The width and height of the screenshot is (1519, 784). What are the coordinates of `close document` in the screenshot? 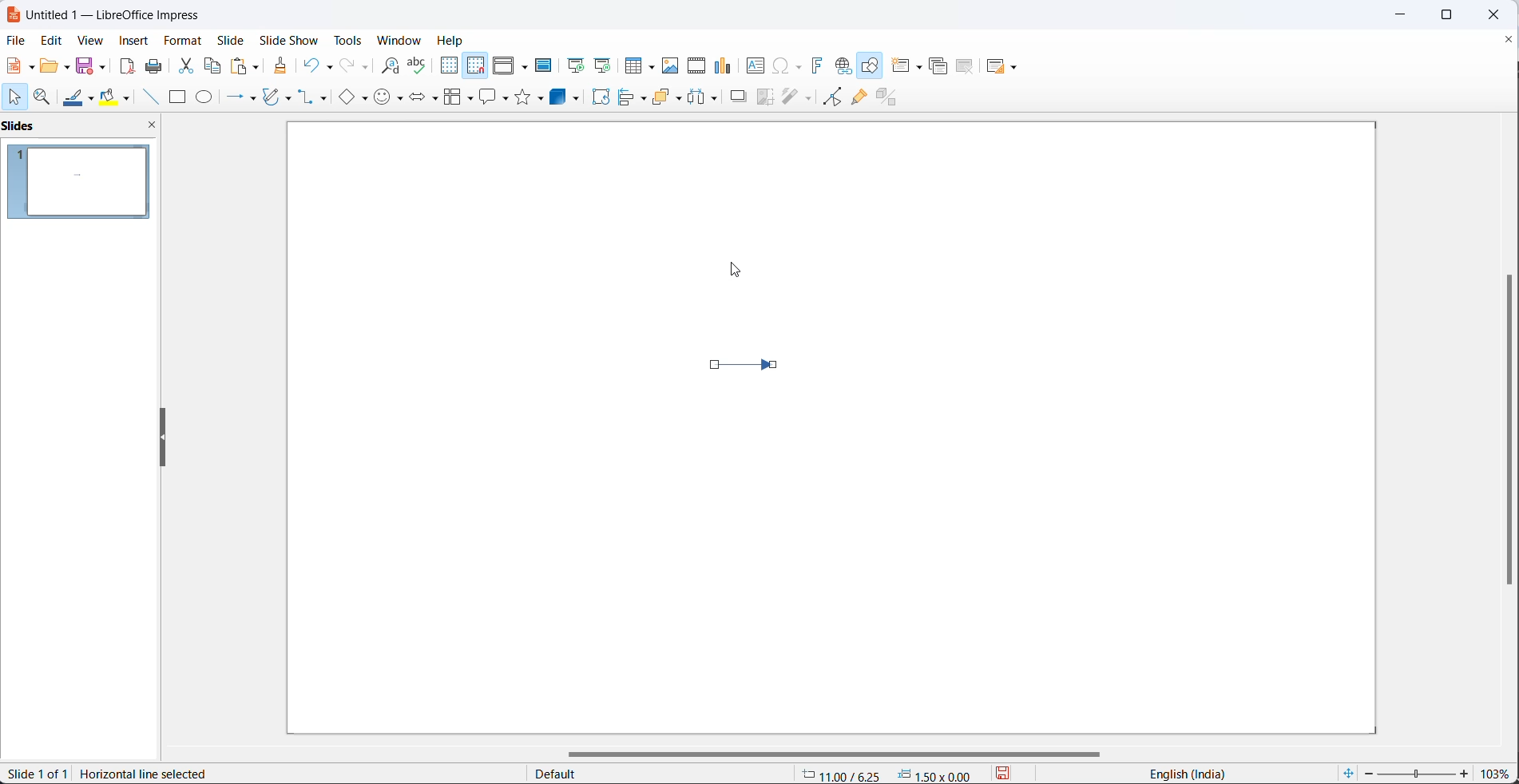 It's located at (1509, 38).